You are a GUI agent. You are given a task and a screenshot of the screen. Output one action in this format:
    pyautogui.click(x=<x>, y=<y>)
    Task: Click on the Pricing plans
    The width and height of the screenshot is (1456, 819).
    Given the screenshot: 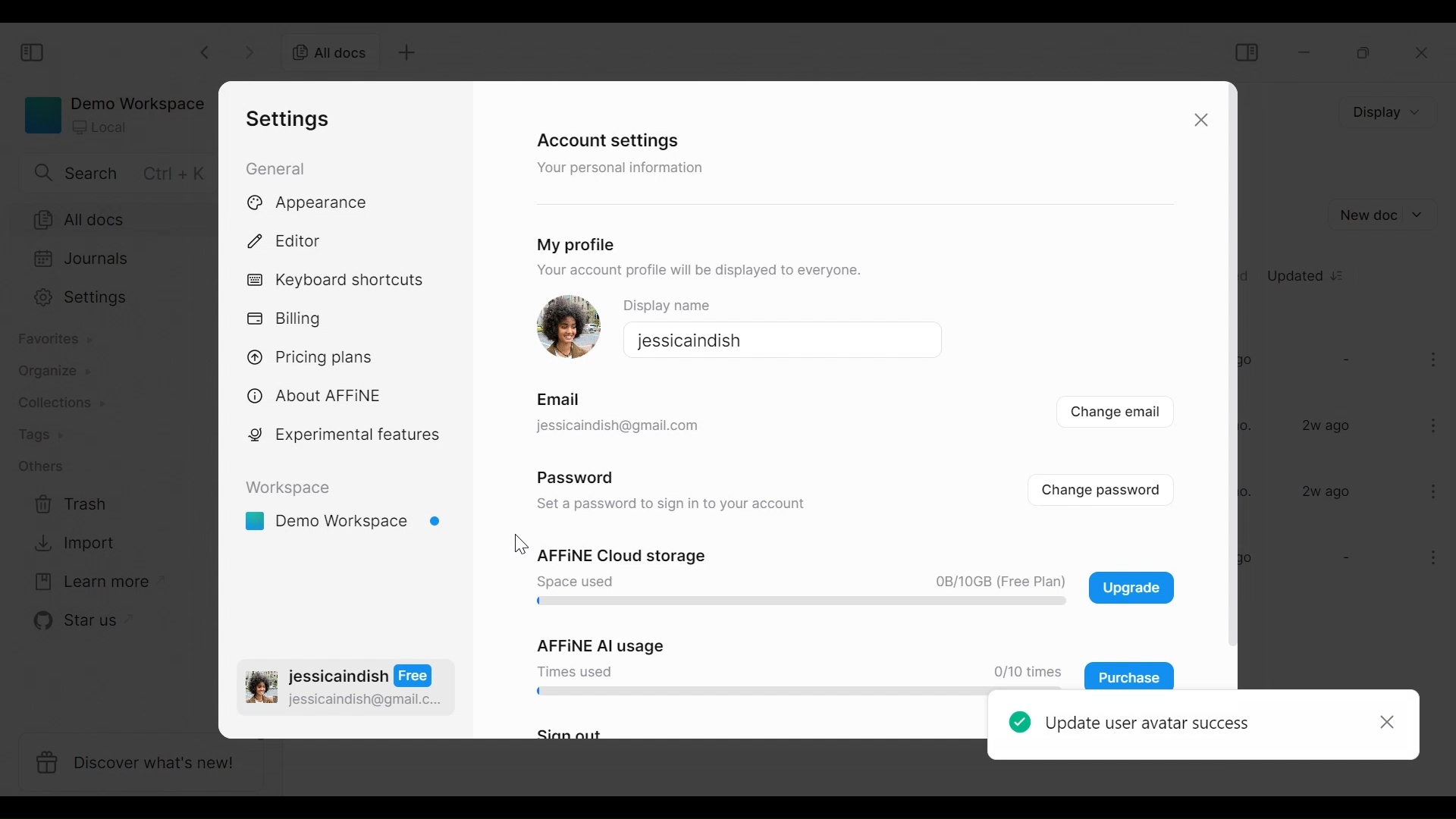 What is the action you would take?
    pyautogui.click(x=320, y=357)
    